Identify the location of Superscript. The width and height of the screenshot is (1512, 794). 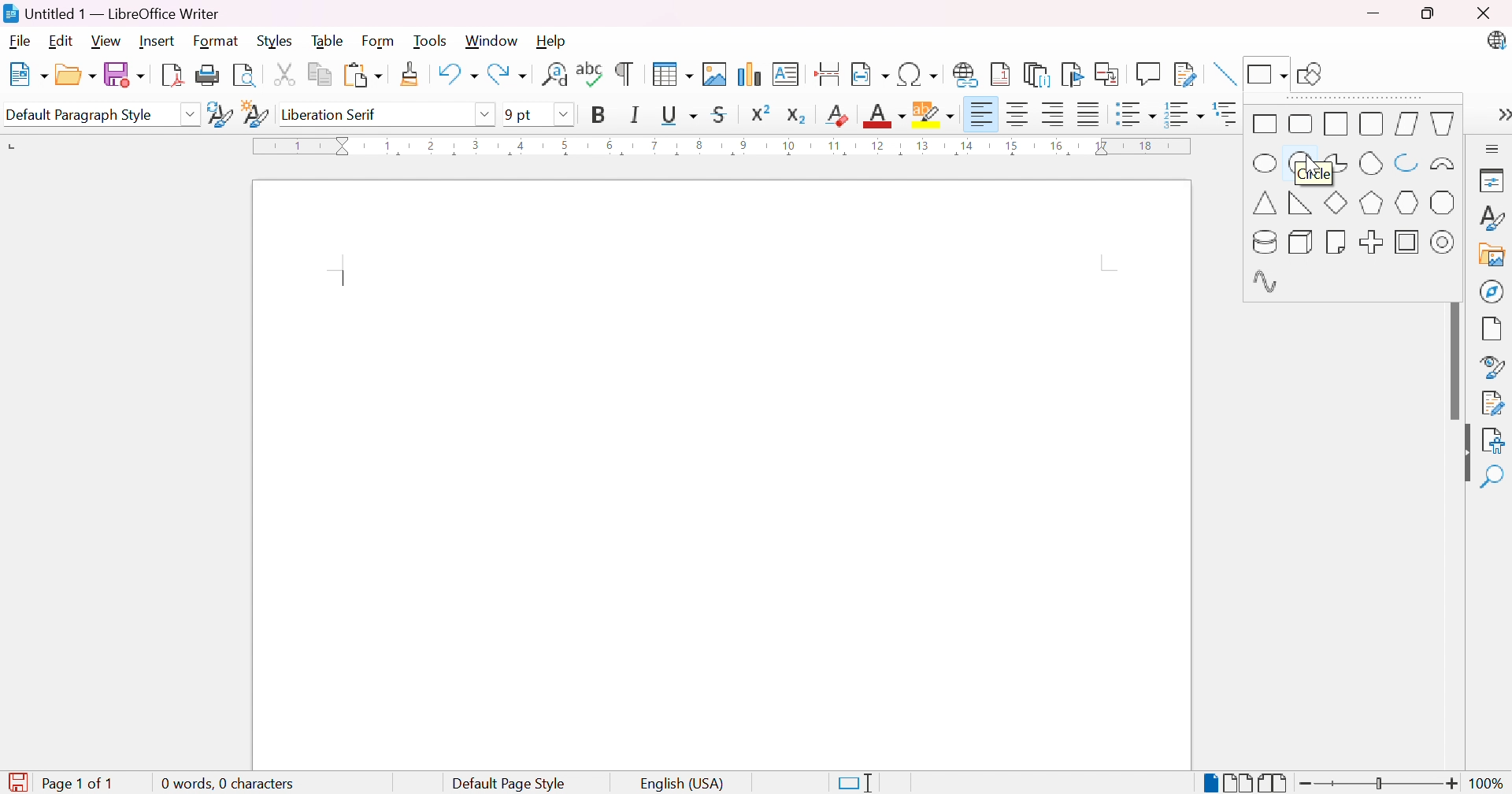
(761, 113).